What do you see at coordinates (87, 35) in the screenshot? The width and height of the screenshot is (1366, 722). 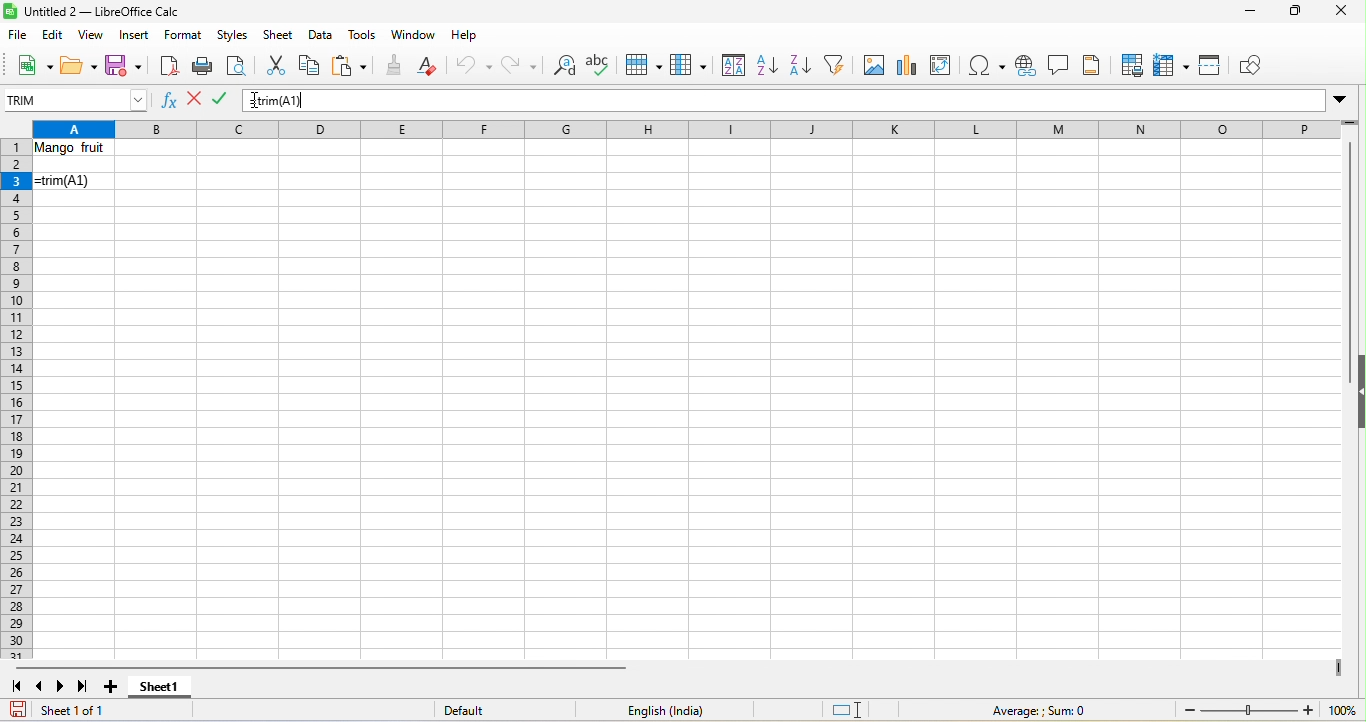 I see `view` at bounding box center [87, 35].